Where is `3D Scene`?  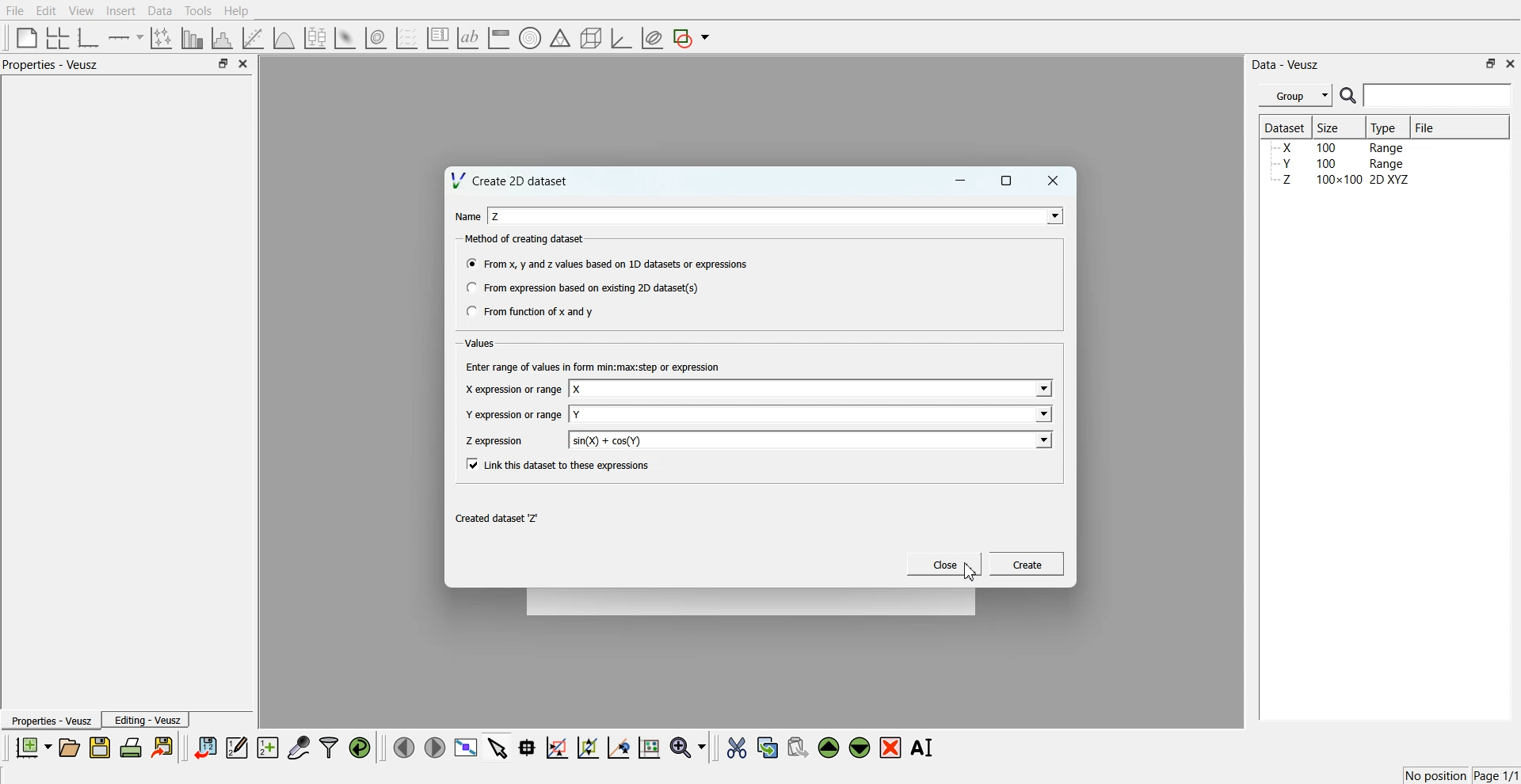 3D Scene is located at coordinates (592, 39).